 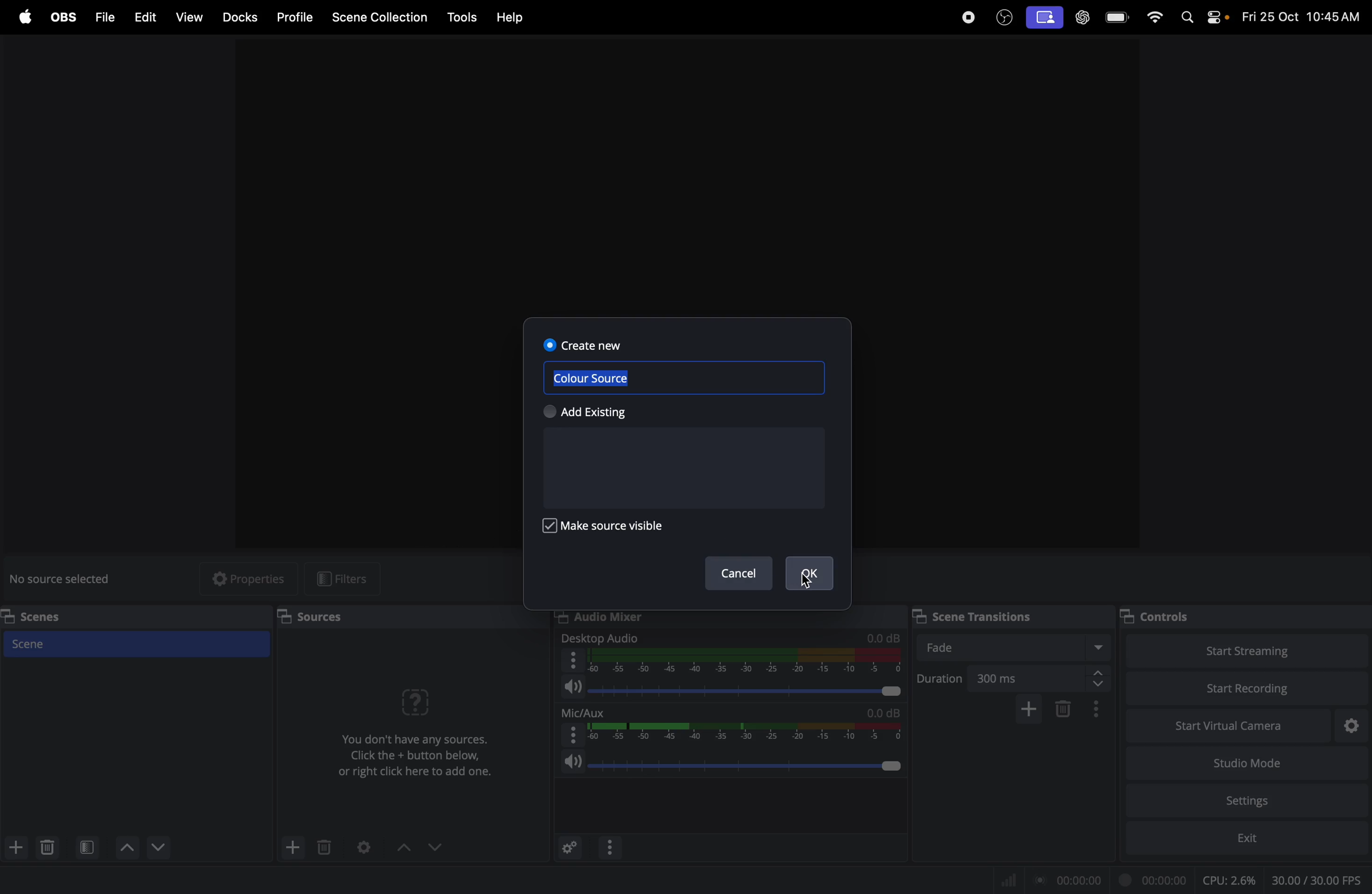 I want to click on open scene filter, so click(x=89, y=847).